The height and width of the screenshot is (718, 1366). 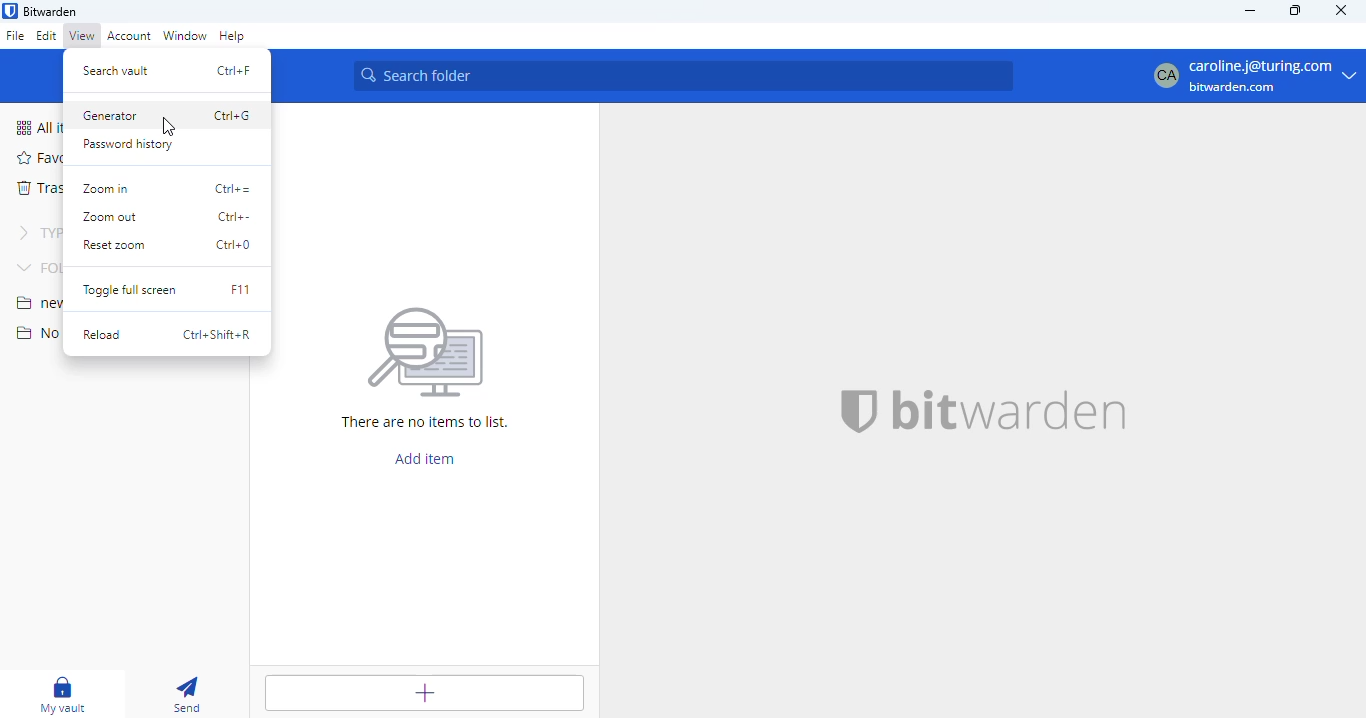 What do you see at coordinates (240, 289) in the screenshot?
I see `shortcut for toggle full screen` at bounding box center [240, 289].